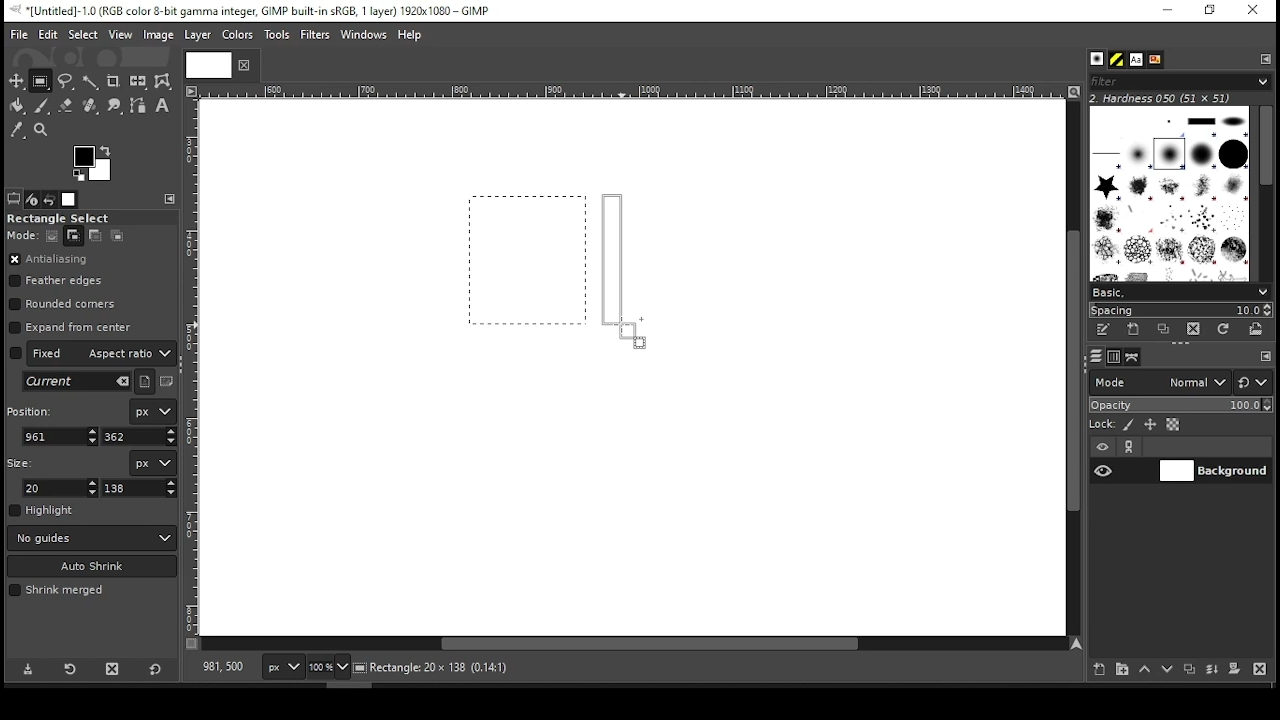  Describe the element at coordinates (1166, 11) in the screenshot. I see `minimize` at that location.